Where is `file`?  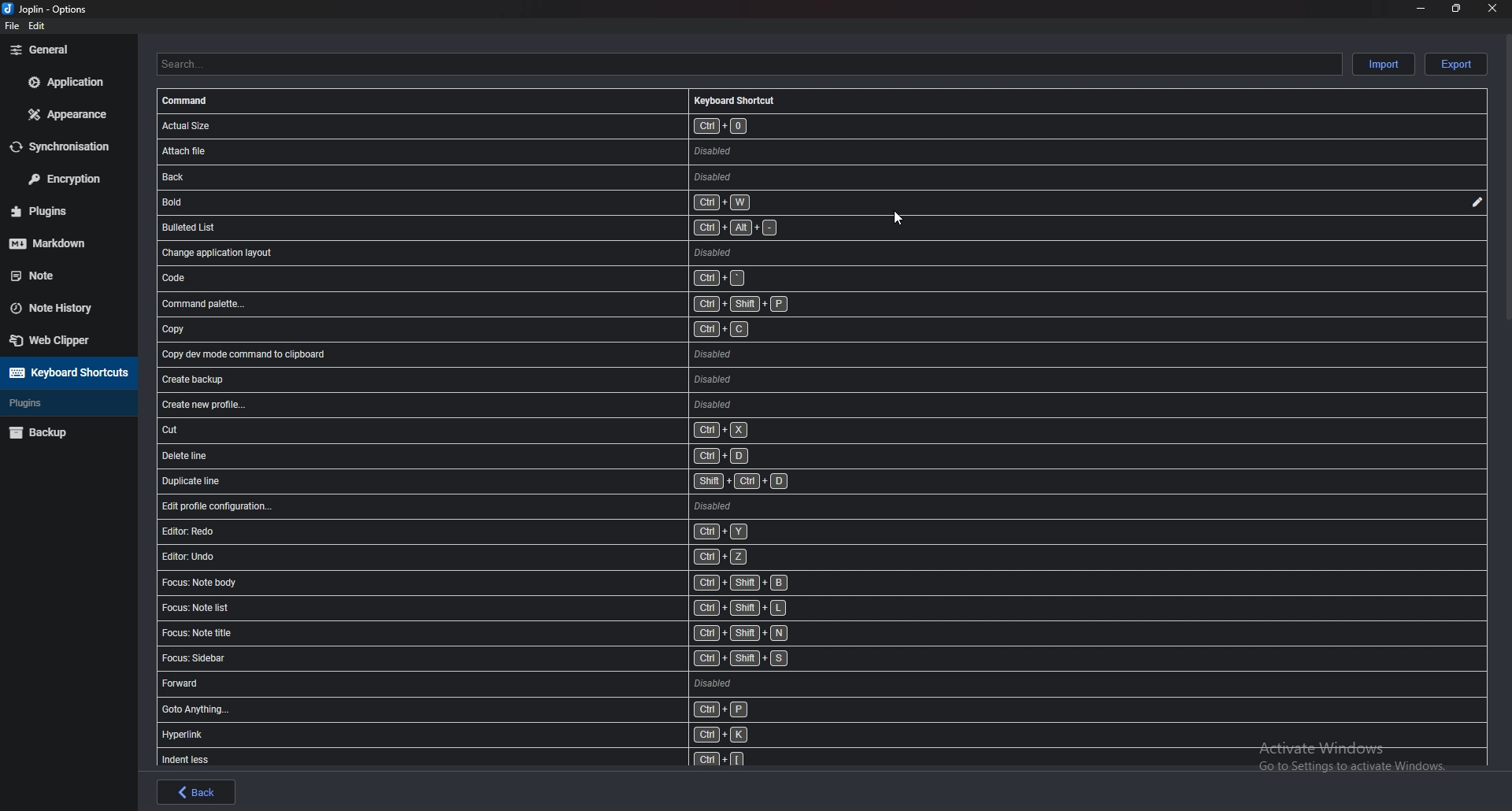 file is located at coordinates (12, 28).